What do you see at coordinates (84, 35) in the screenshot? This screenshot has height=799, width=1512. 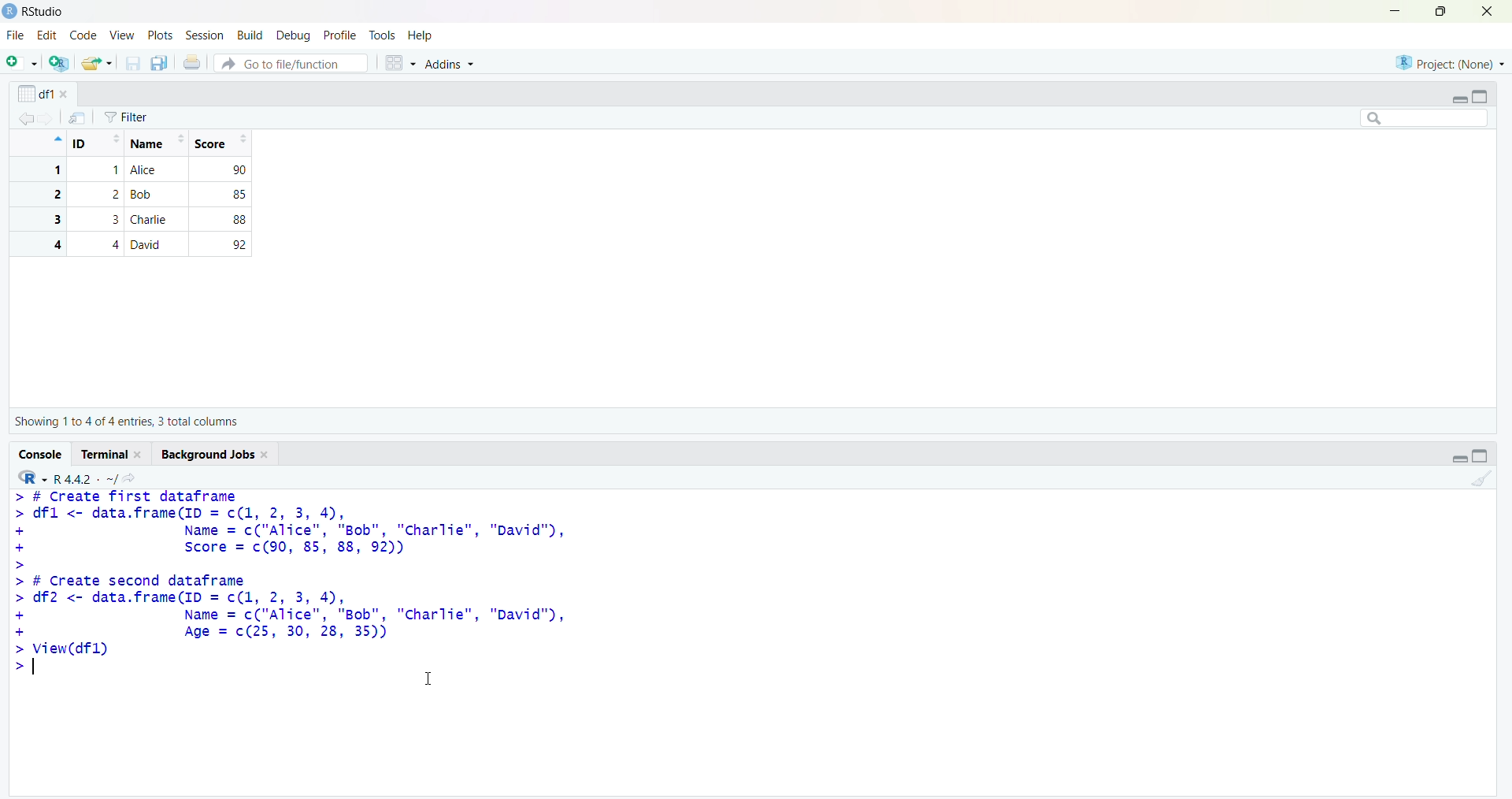 I see `code` at bounding box center [84, 35].